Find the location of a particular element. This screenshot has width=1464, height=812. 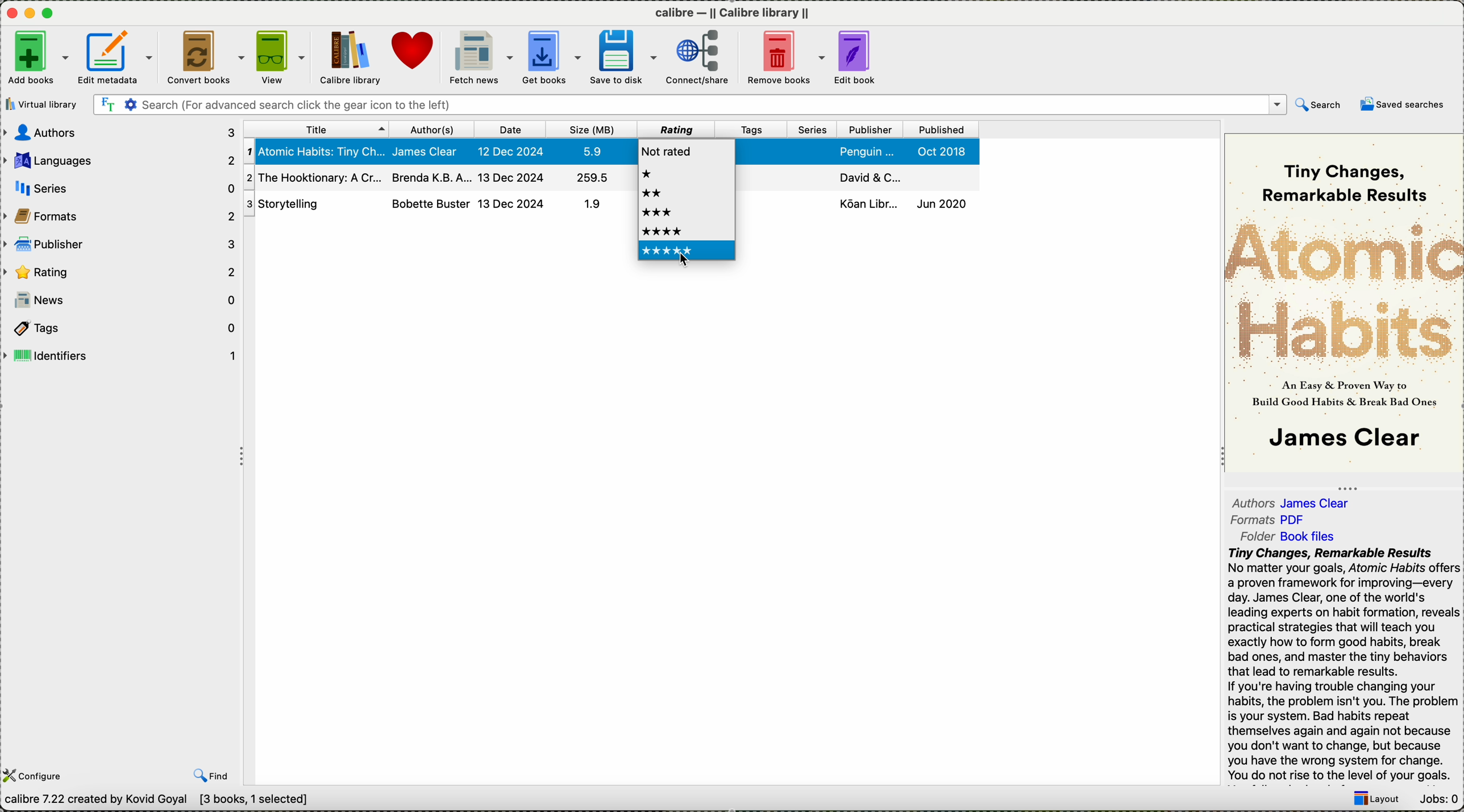

Layout is located at coordinates (1371, 801).